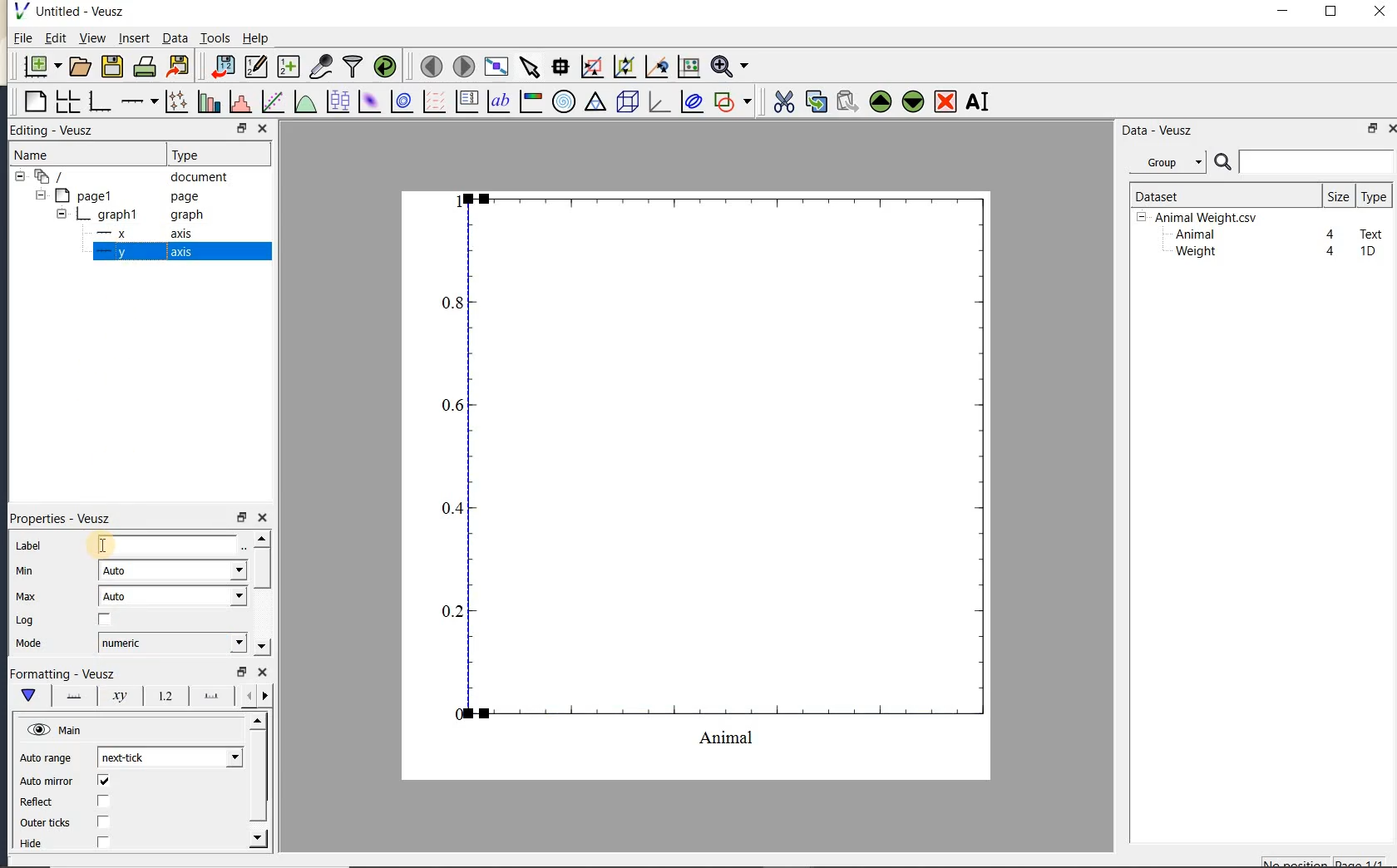 The height and width of the screenshot is (868, 1397). Describe the element at coordinates (173, 596) in the screenshot. I see `Auto` at that location.